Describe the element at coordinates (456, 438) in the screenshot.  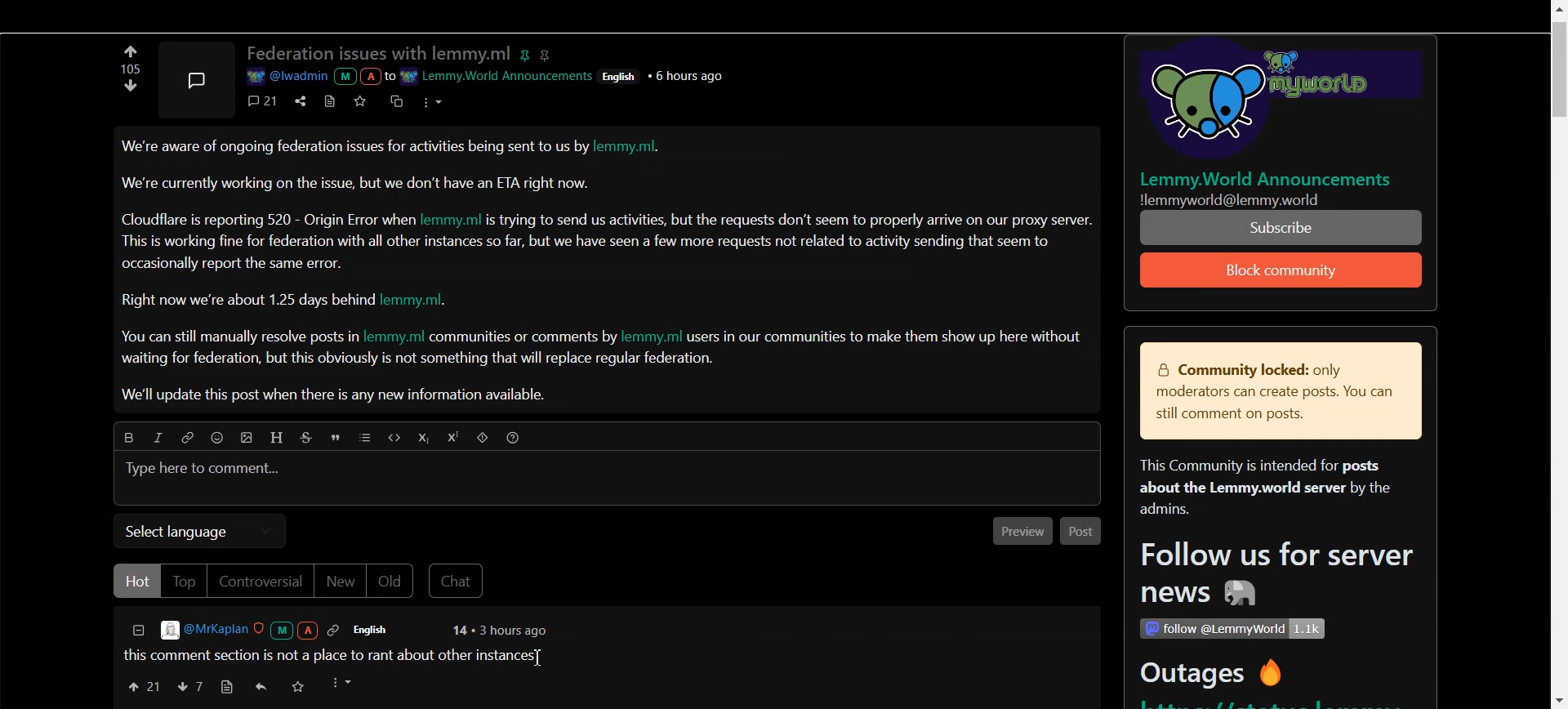
I see `Superscript` at that location.